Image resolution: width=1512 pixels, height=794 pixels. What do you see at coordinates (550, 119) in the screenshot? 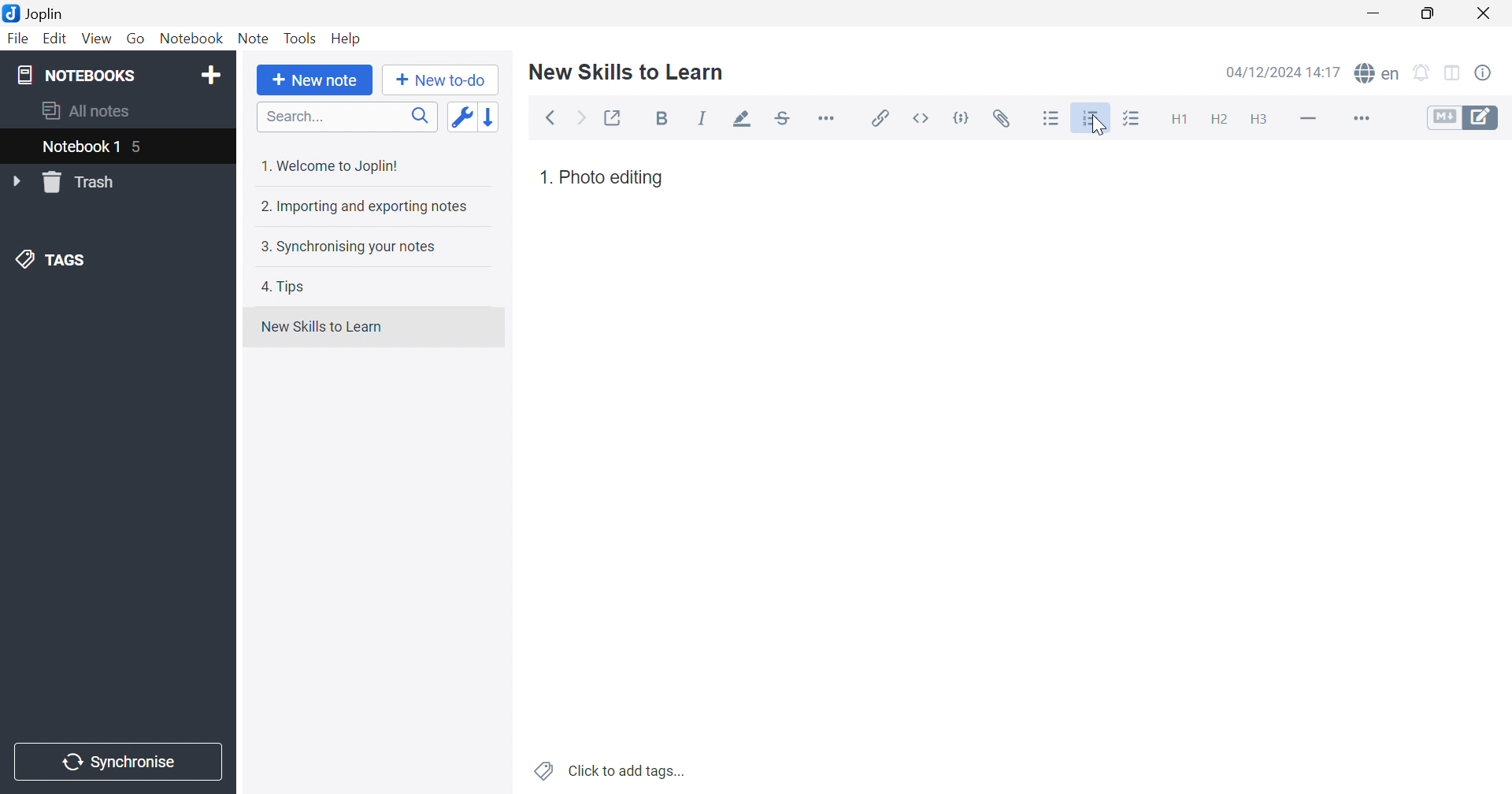
I see `Back` at bounding box center [550, 119].